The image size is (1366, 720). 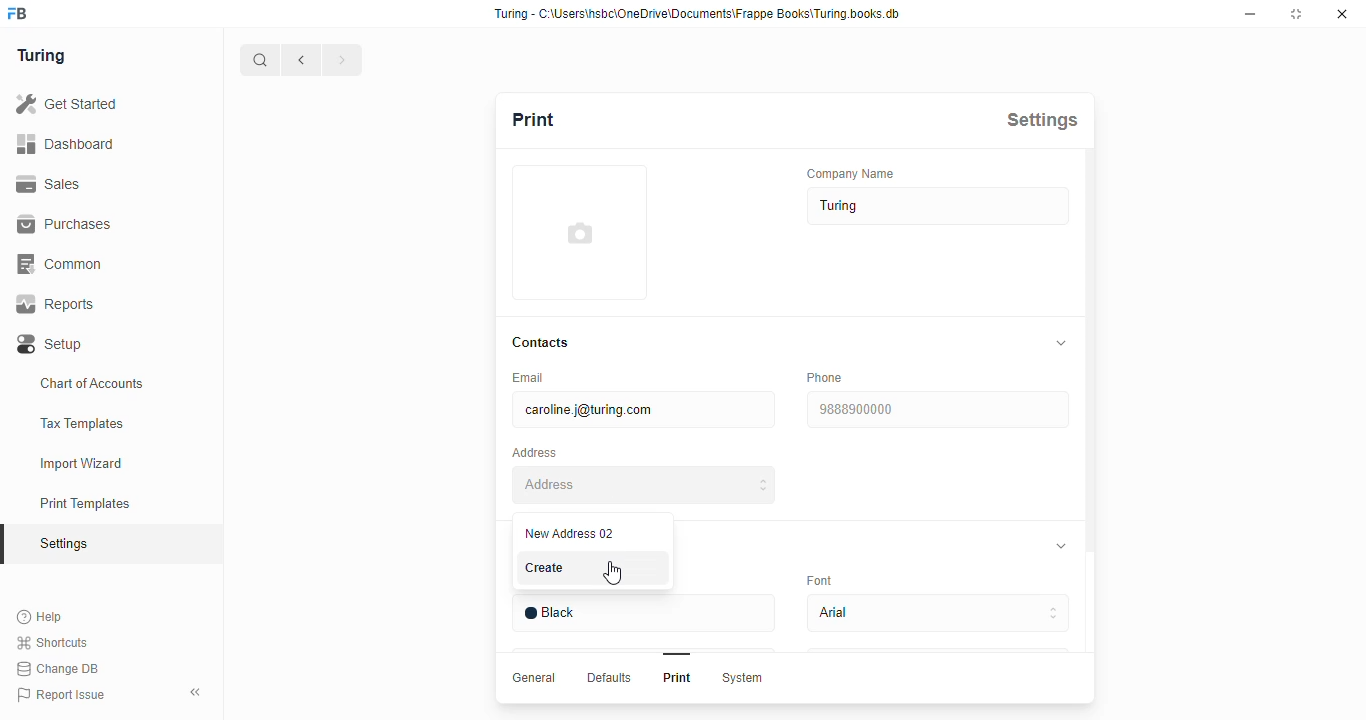 I want to click on create, so click(x=548, y=569).